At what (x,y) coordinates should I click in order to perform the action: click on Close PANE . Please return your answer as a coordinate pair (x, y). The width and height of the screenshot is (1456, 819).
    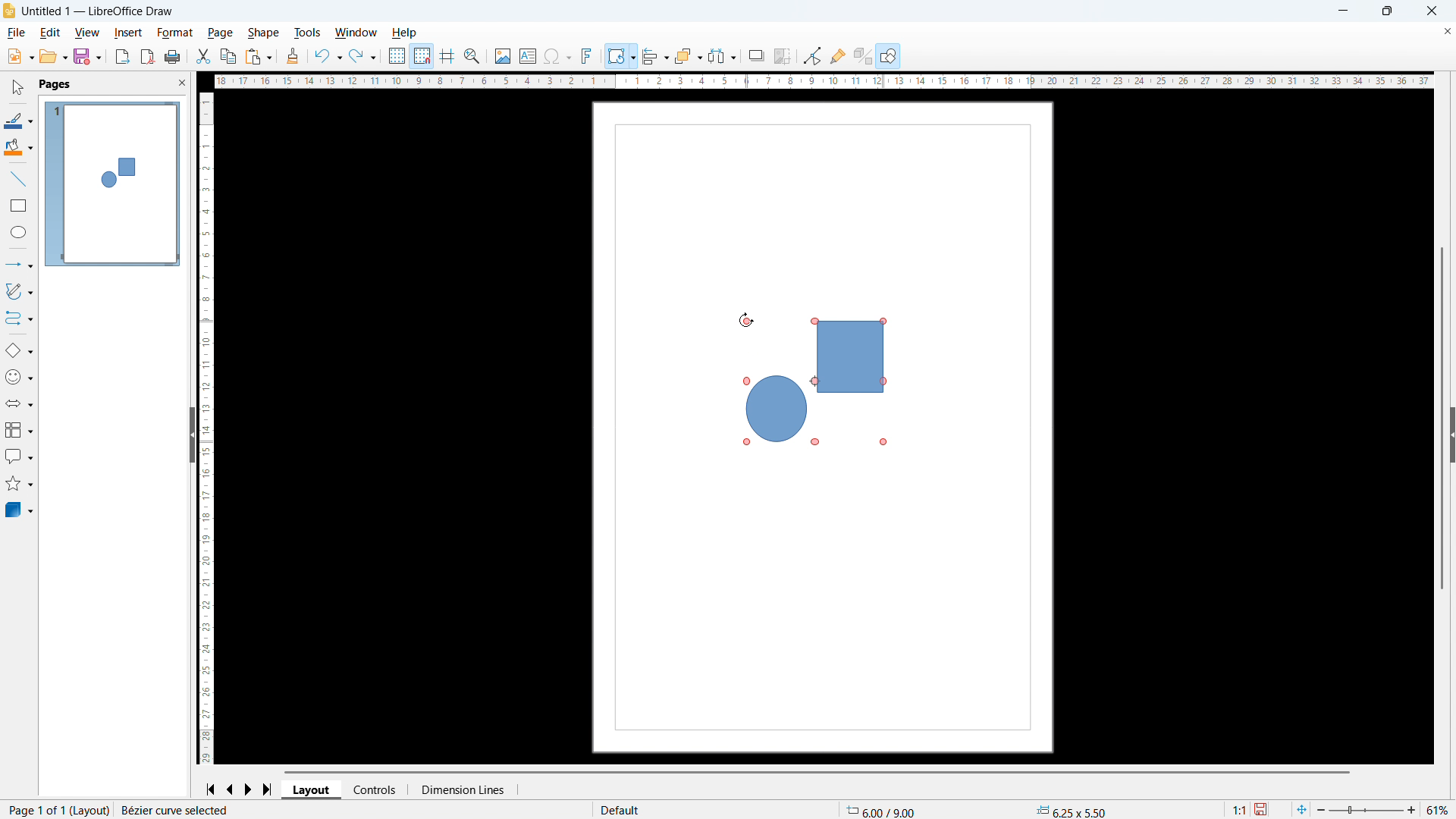
    Looking at the image, I should click on (182, 82).